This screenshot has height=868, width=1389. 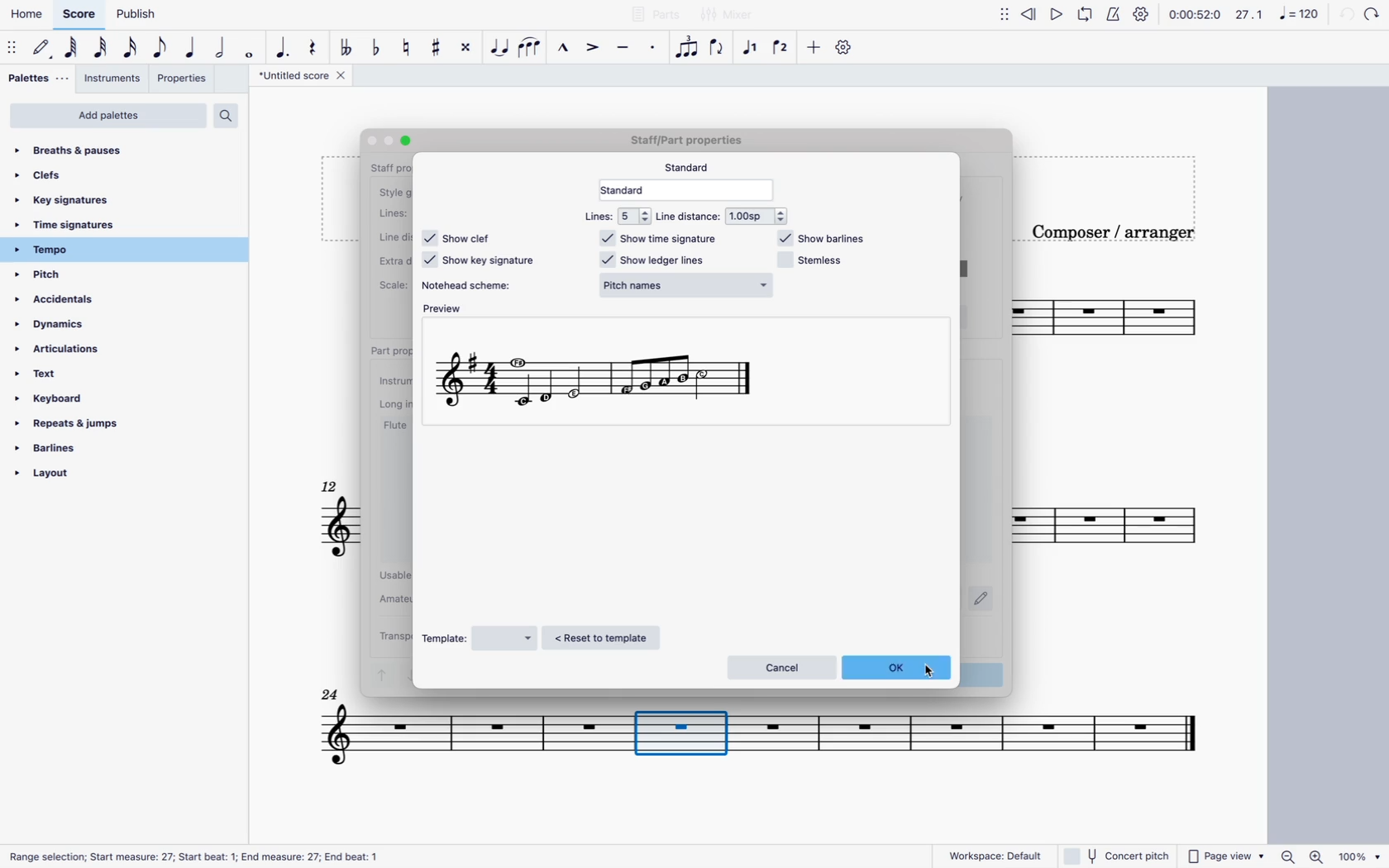 I want to click on tempo, so click(x=105, y=251).